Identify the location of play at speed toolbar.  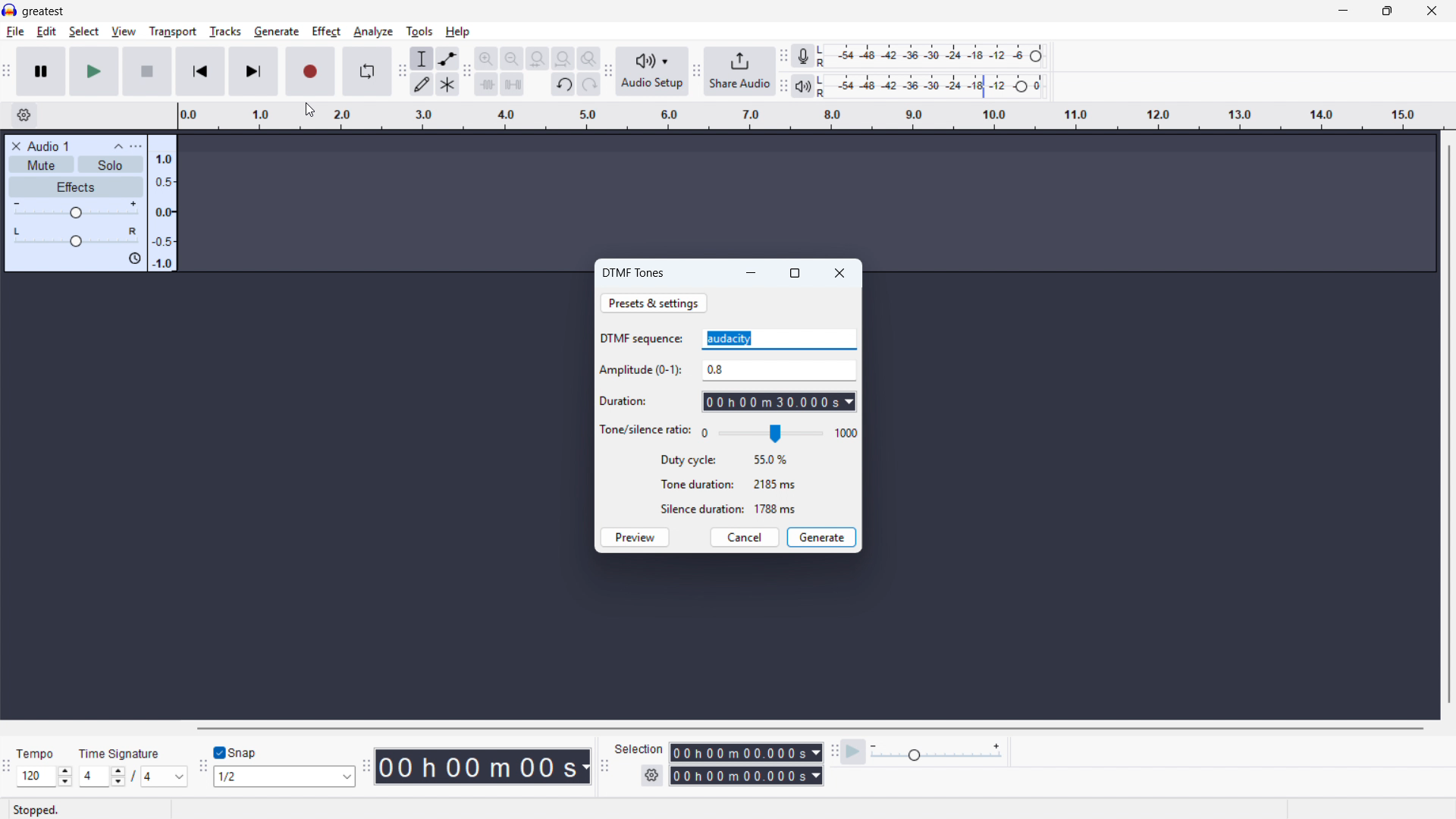
(835, 752).